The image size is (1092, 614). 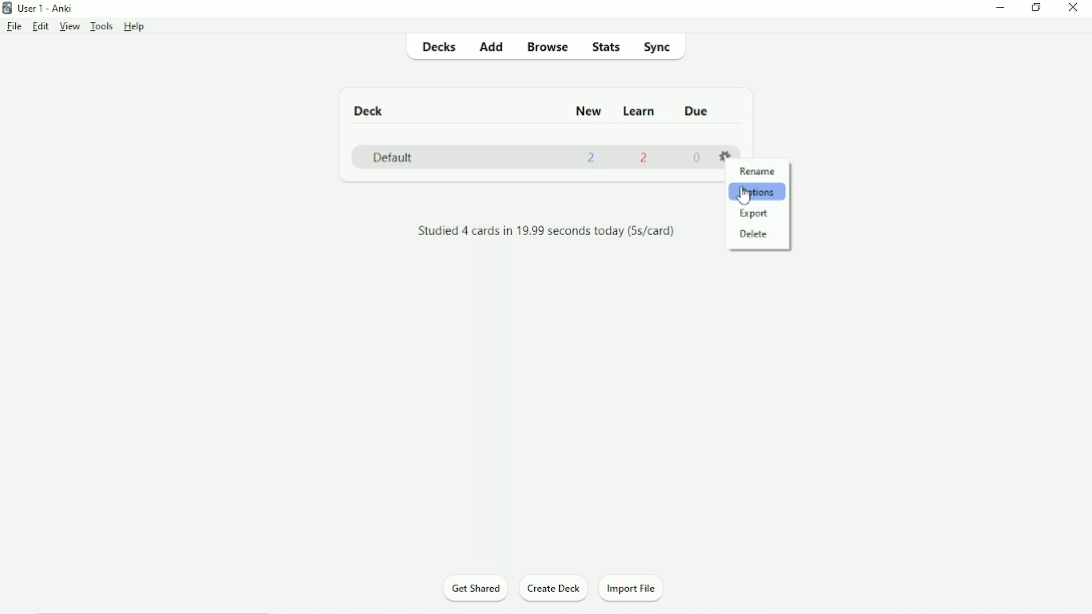 I want to click on Import File, so click(x=638, y=589).